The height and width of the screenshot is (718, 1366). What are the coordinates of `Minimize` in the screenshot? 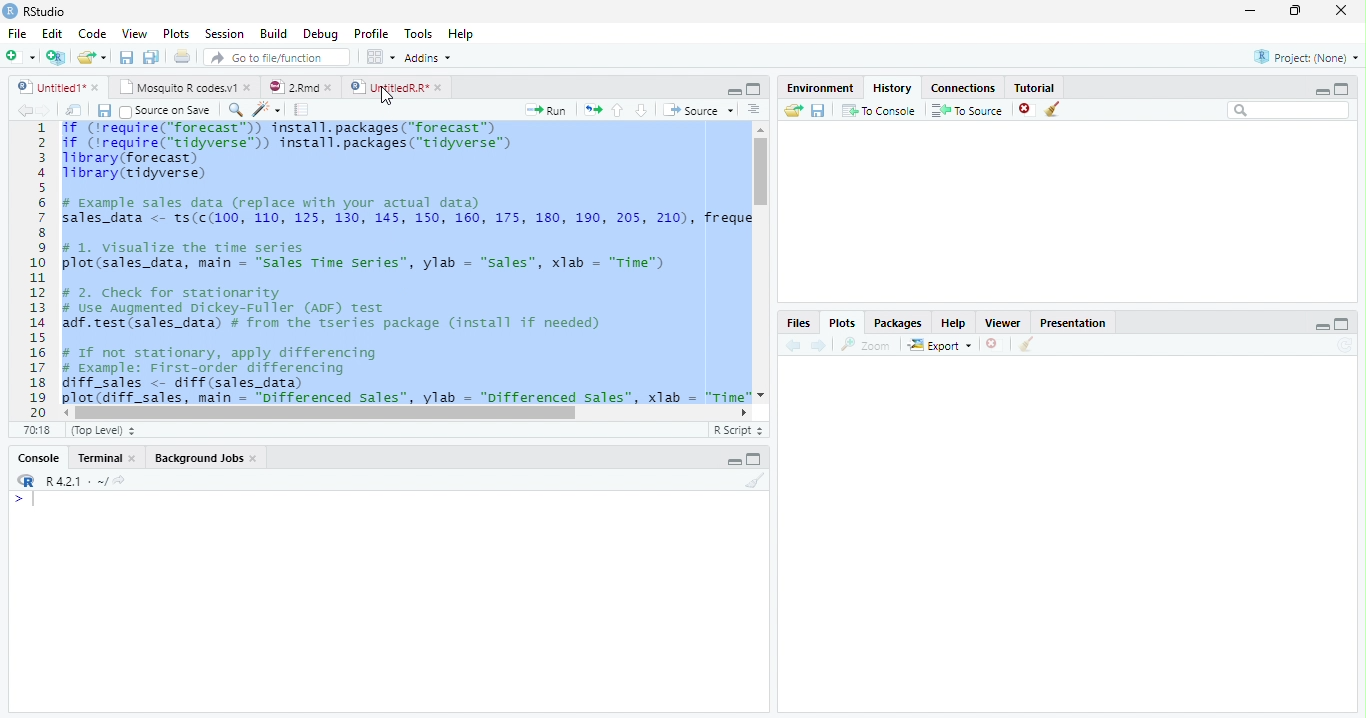 It's located at (1318, 326).